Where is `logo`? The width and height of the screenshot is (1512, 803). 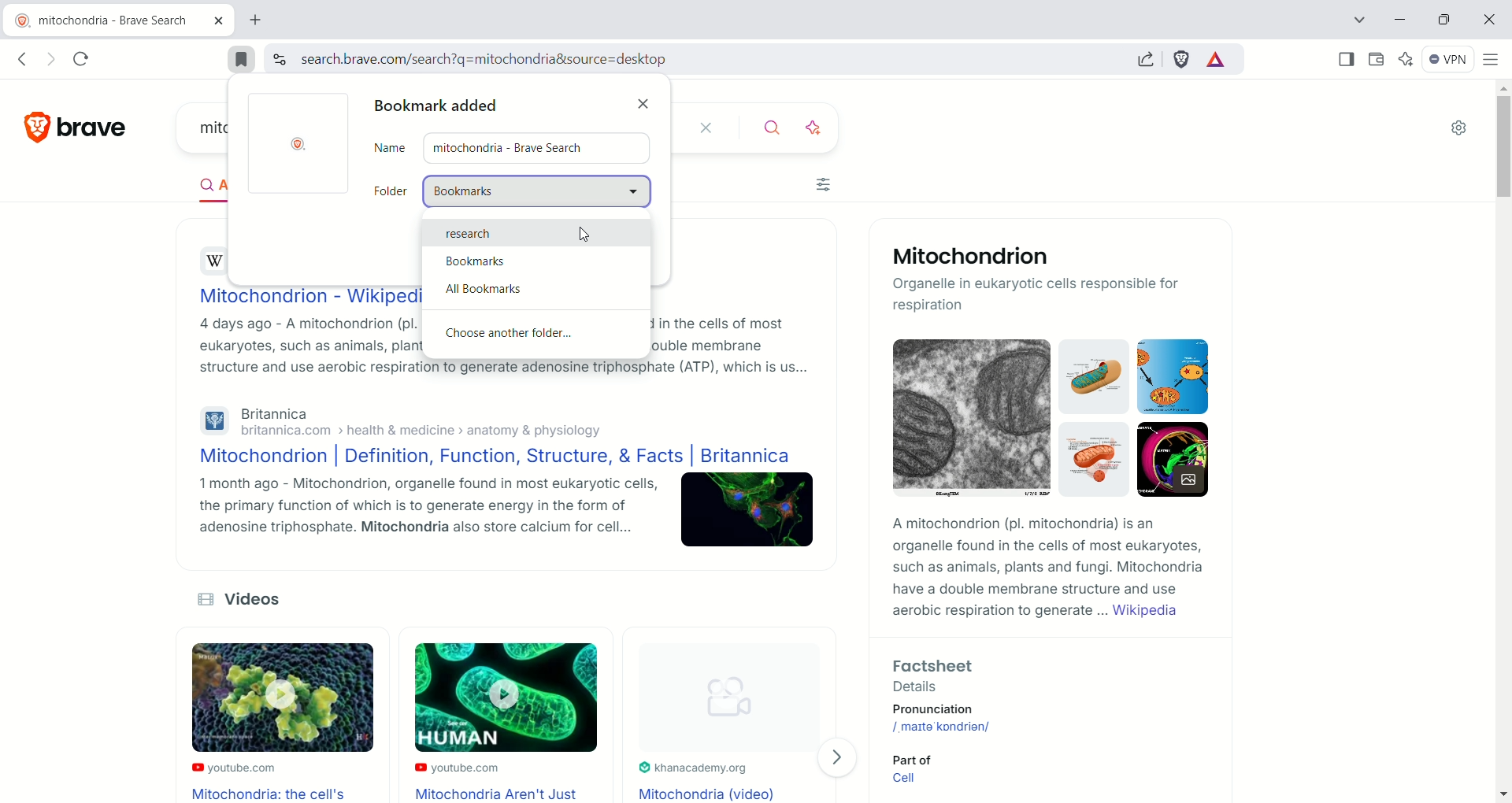
logo is located at coordinates (29, 128).